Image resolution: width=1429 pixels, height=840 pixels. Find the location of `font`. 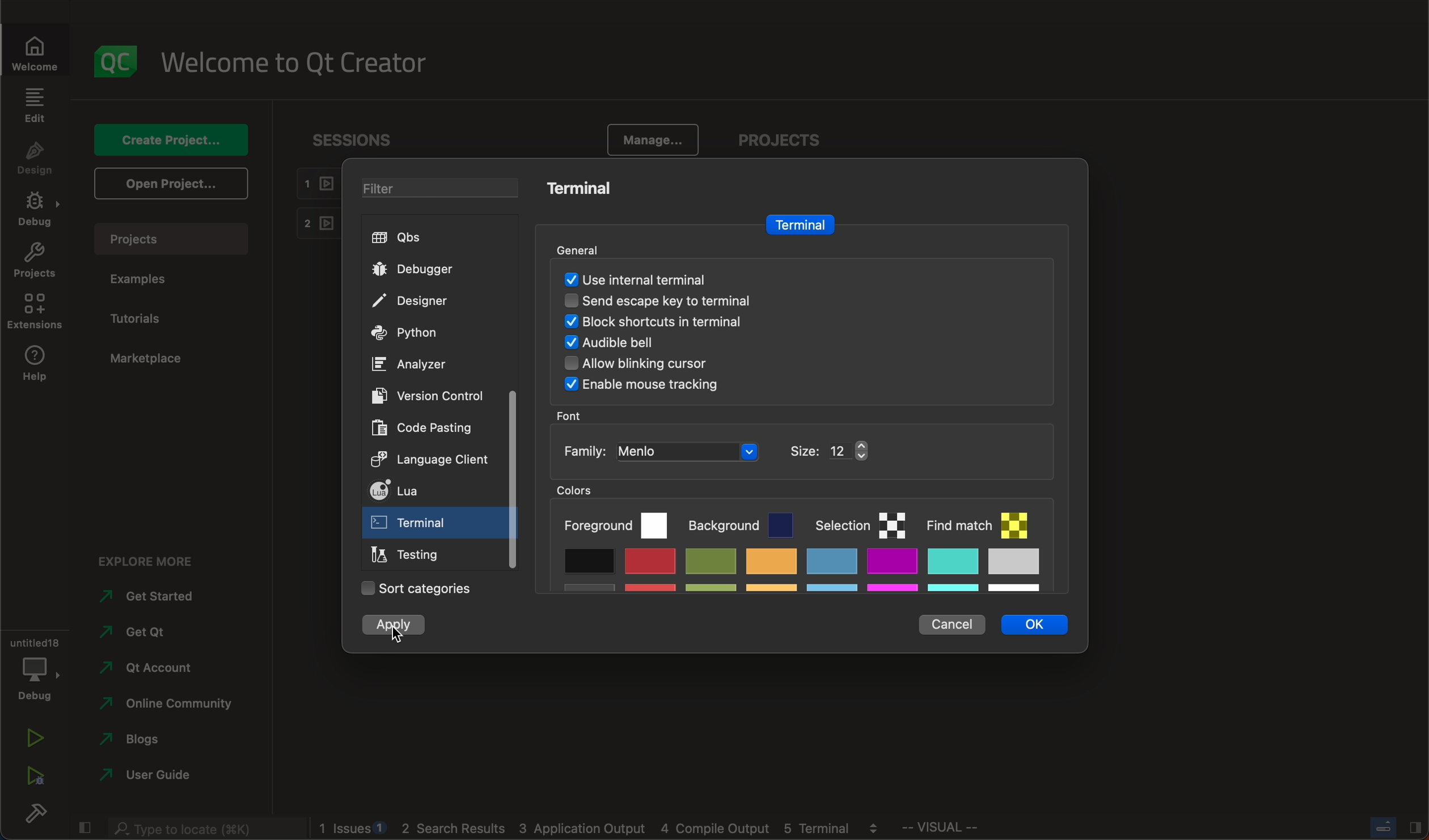

font is located at coordinates (574, 415).